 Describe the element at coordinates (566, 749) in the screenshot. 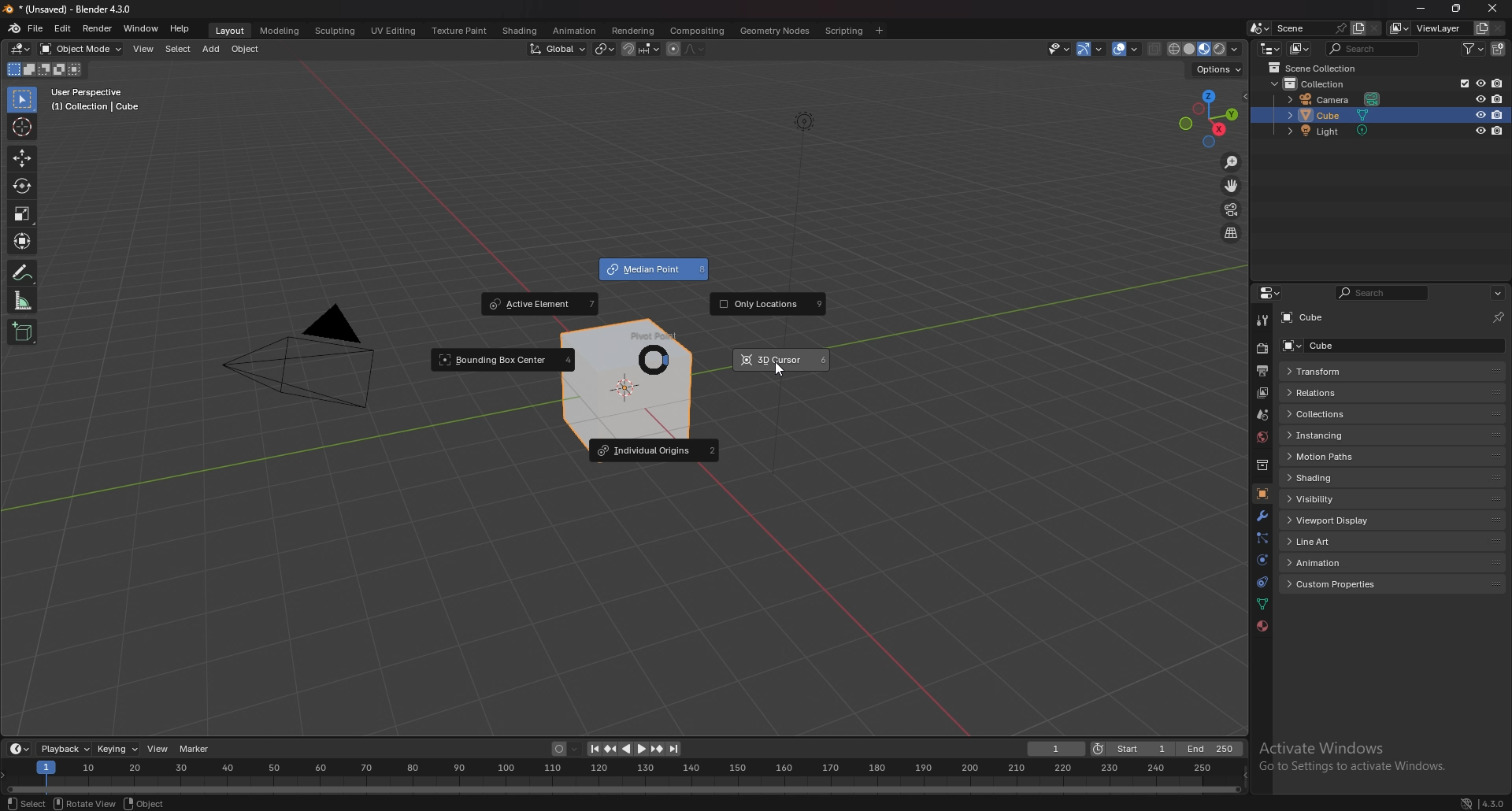

I see `auto keying` at that location.